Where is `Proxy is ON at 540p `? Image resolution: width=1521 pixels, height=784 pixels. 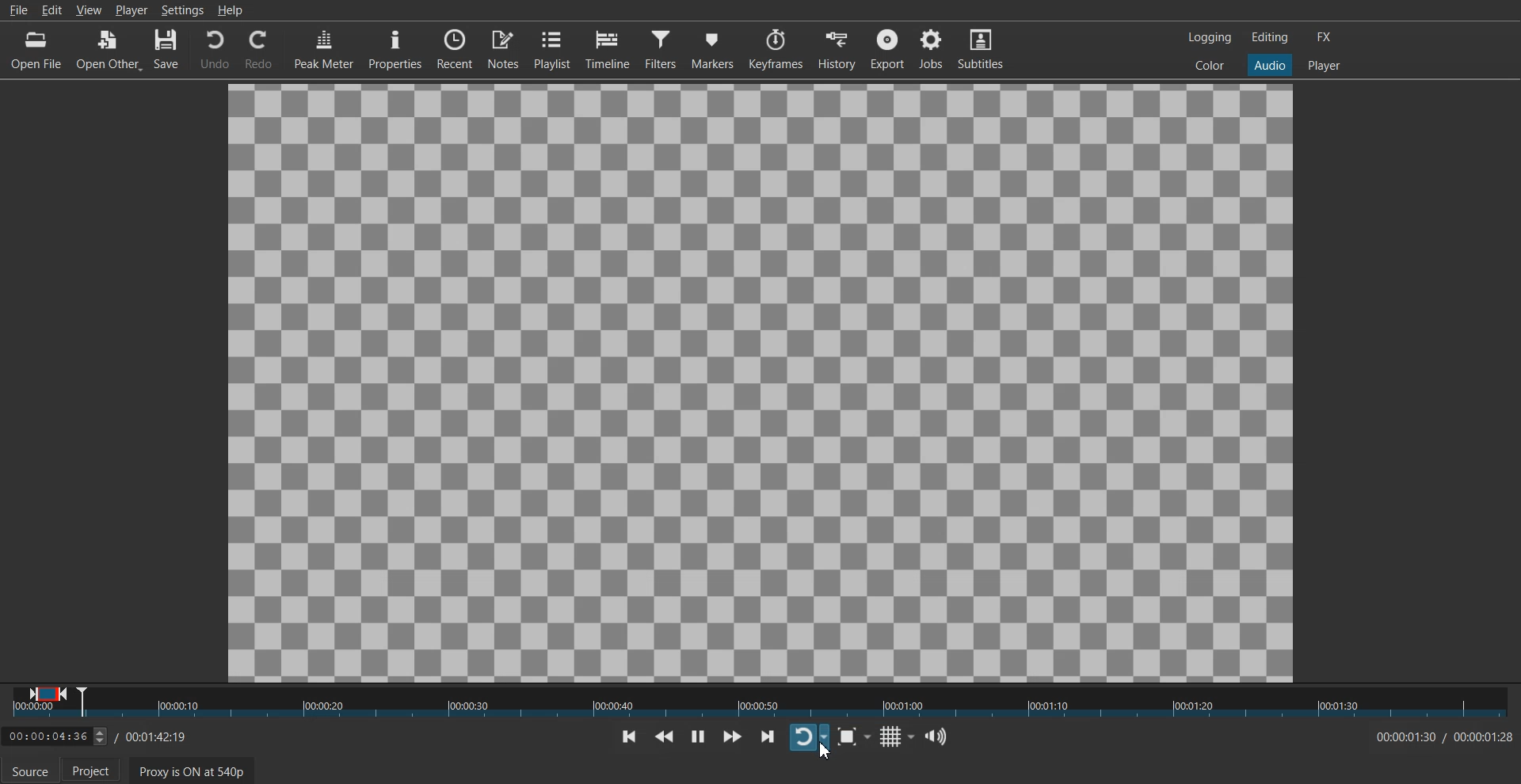 Proxy is ON at 540p  is located at coordinates (190, 770).